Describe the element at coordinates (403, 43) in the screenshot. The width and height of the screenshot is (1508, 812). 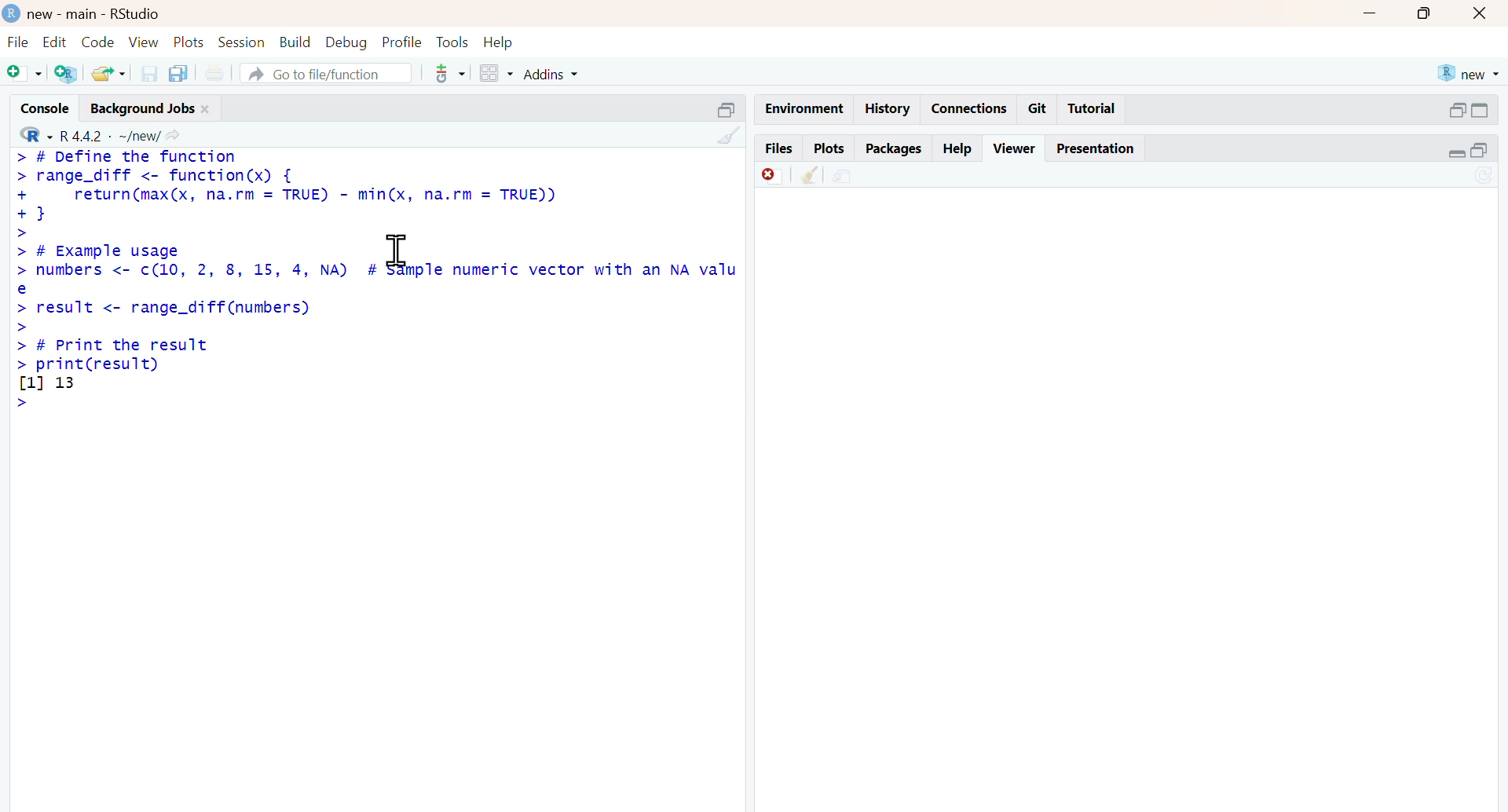
I see `profile` at that location.